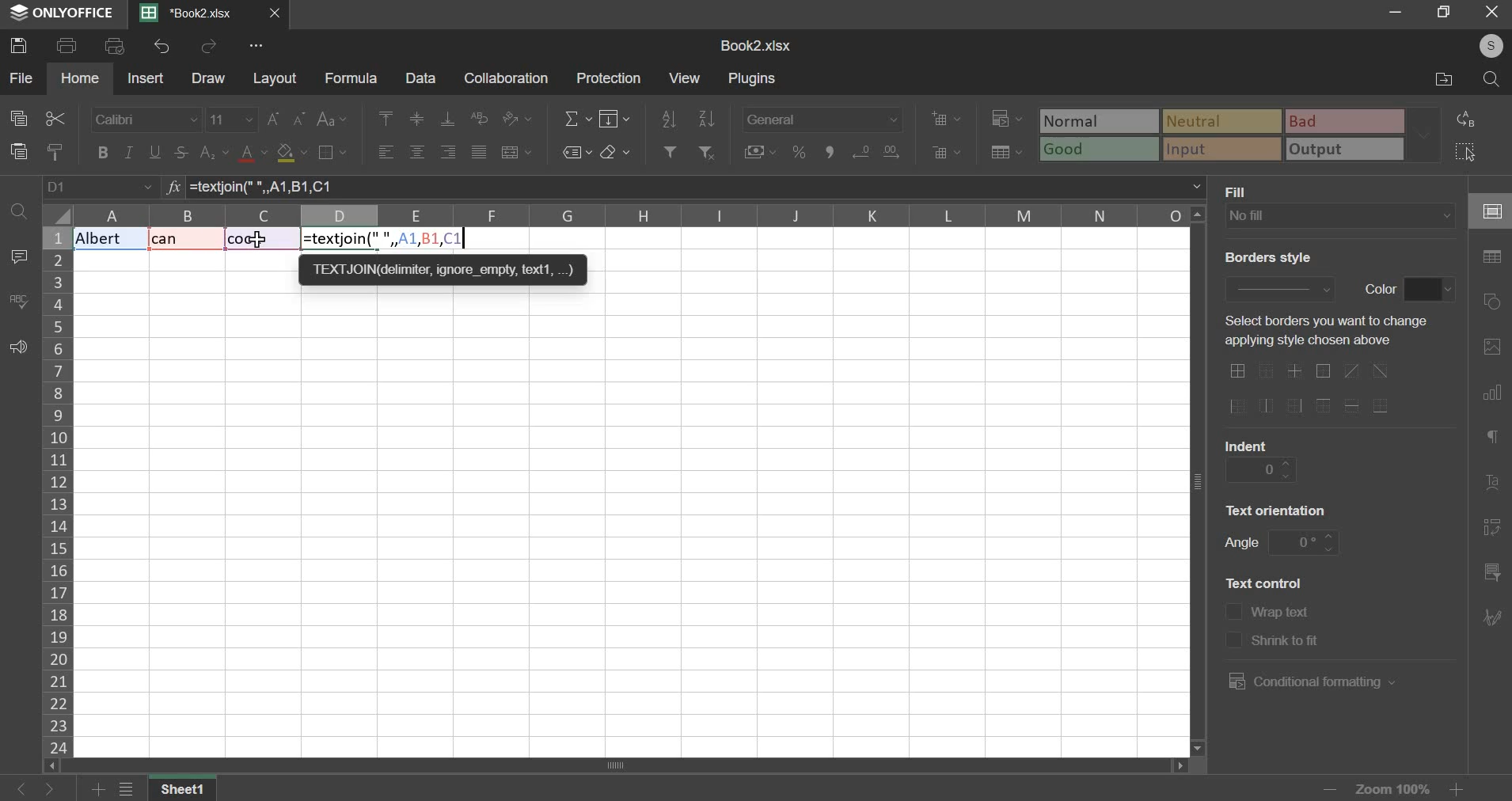 This screenshot has height=801, width=1512. Describe the element at coordinates (116, 46) in the screenshot. I see `print preview` at that location.